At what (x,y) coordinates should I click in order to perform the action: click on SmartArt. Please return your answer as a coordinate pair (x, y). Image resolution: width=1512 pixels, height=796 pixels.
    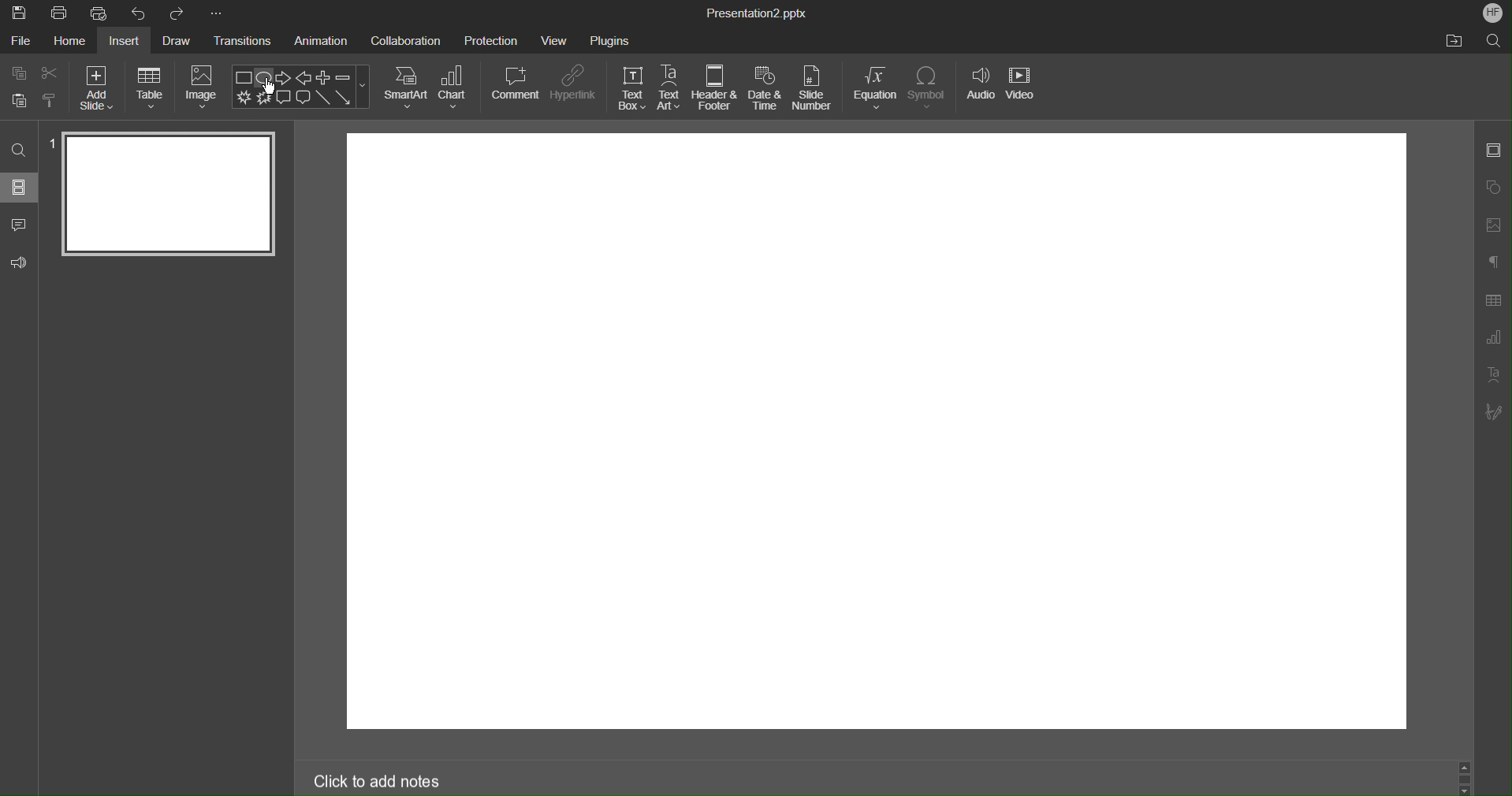
    Looking at the image, I should click on (406, 87).